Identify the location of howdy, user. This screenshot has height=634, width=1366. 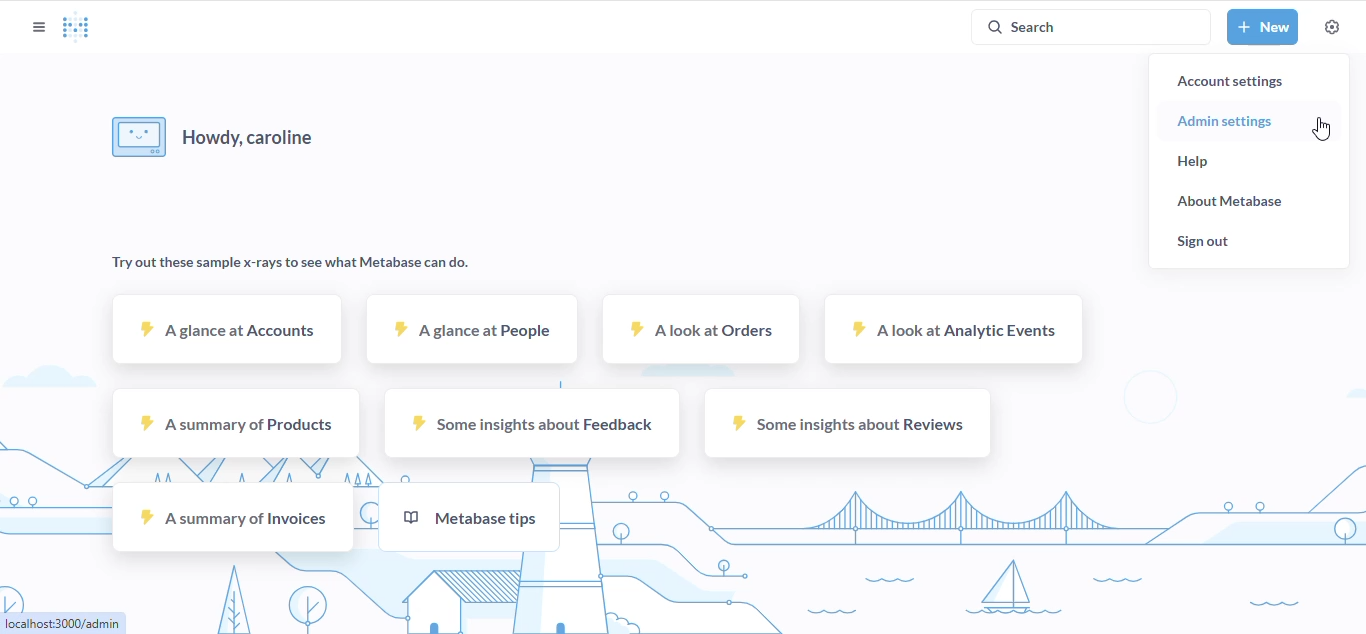
(213, 138).